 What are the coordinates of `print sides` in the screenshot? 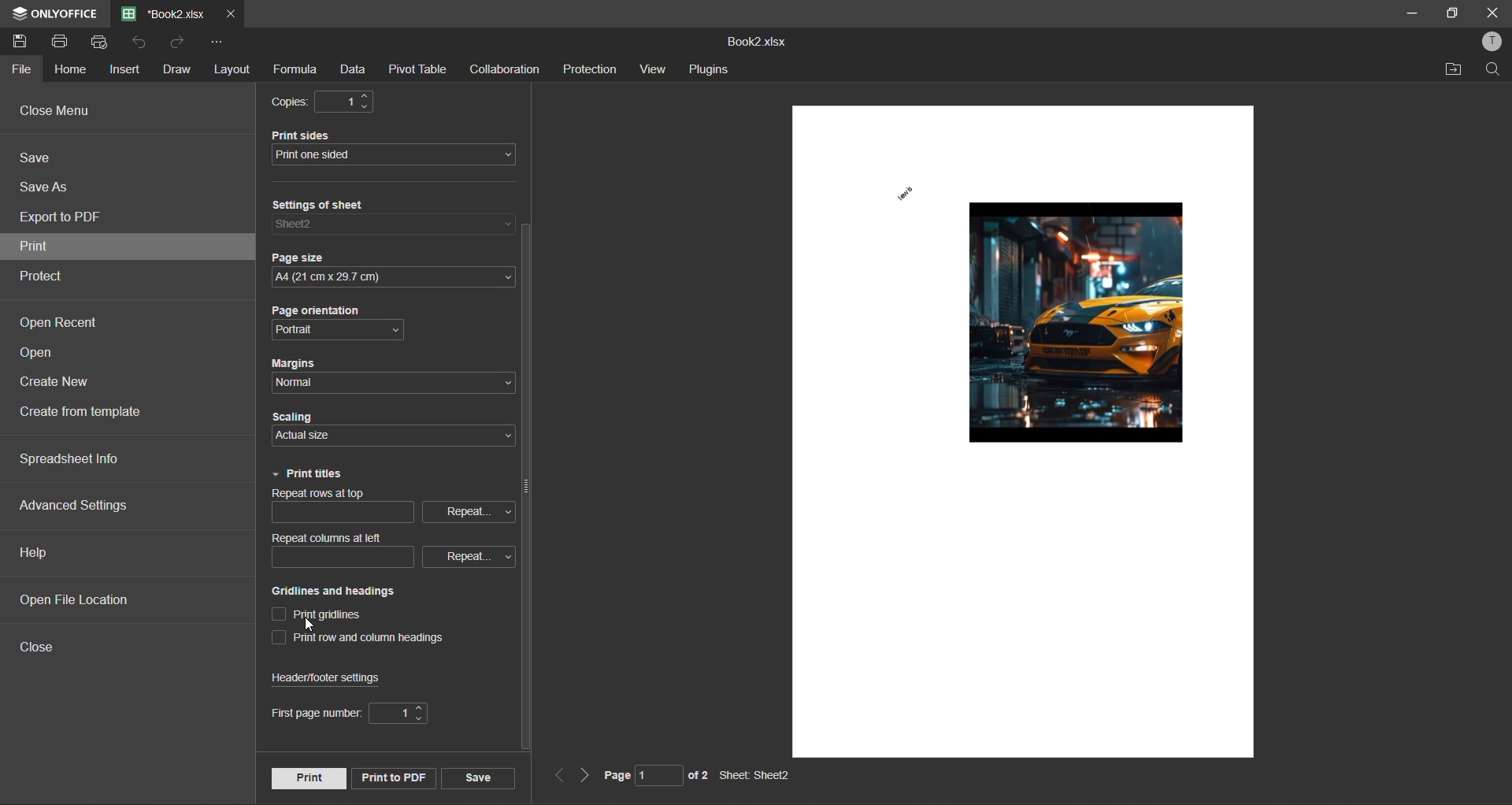 It's located at (327, 135).